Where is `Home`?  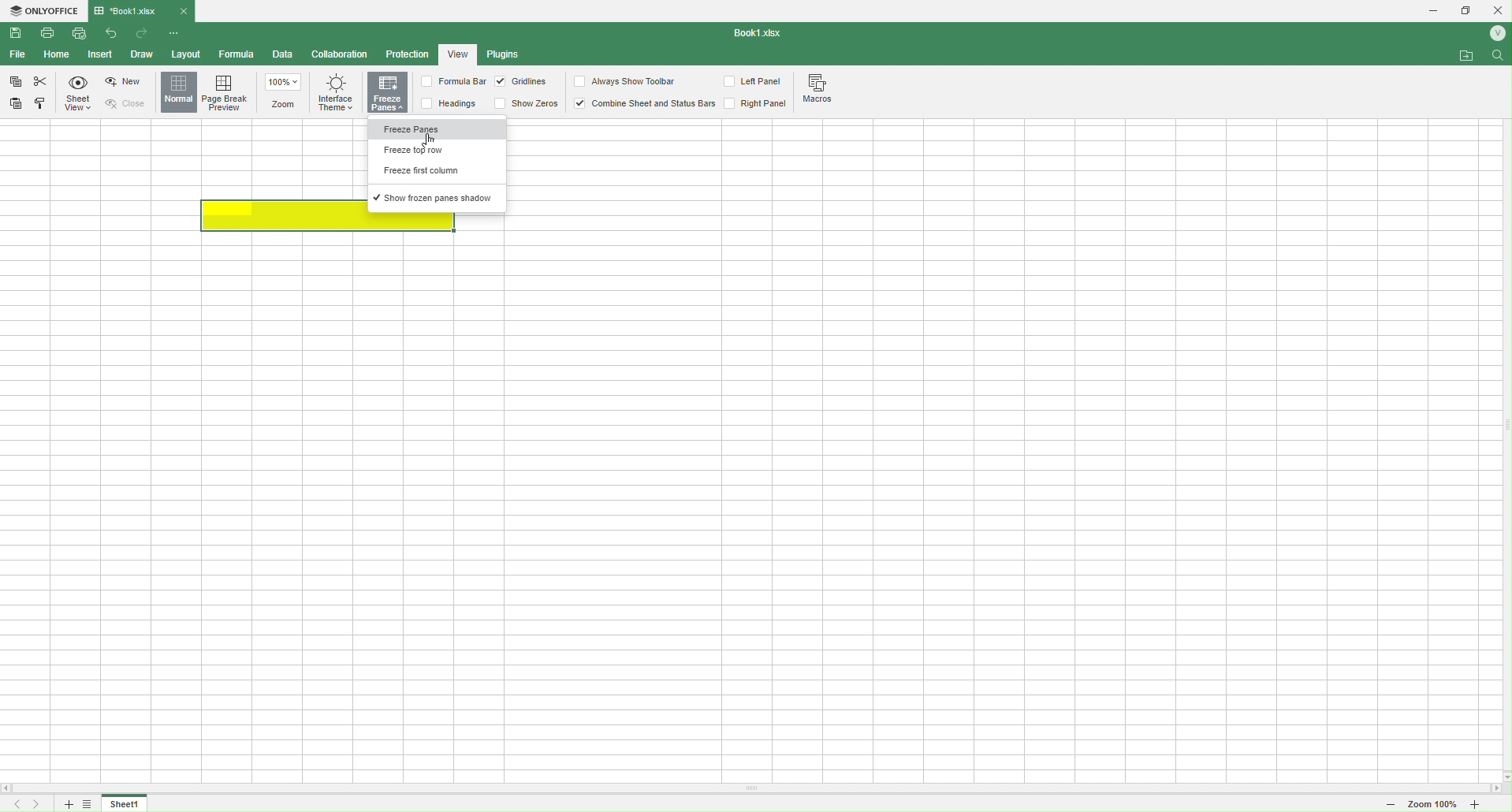 Home is located at coordinates (58, 55).